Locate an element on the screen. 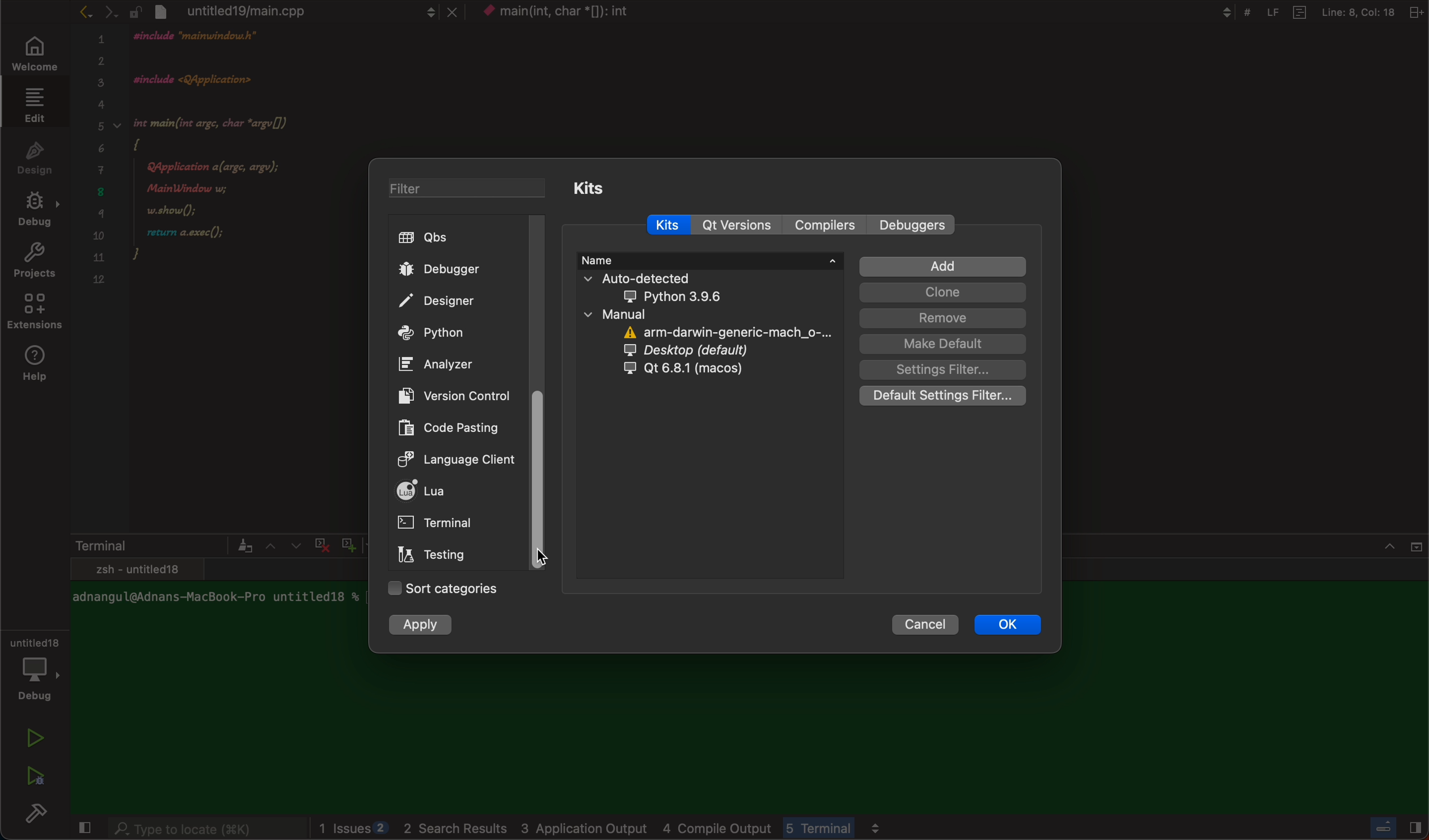  compilers is located at coordinates (824, 226).